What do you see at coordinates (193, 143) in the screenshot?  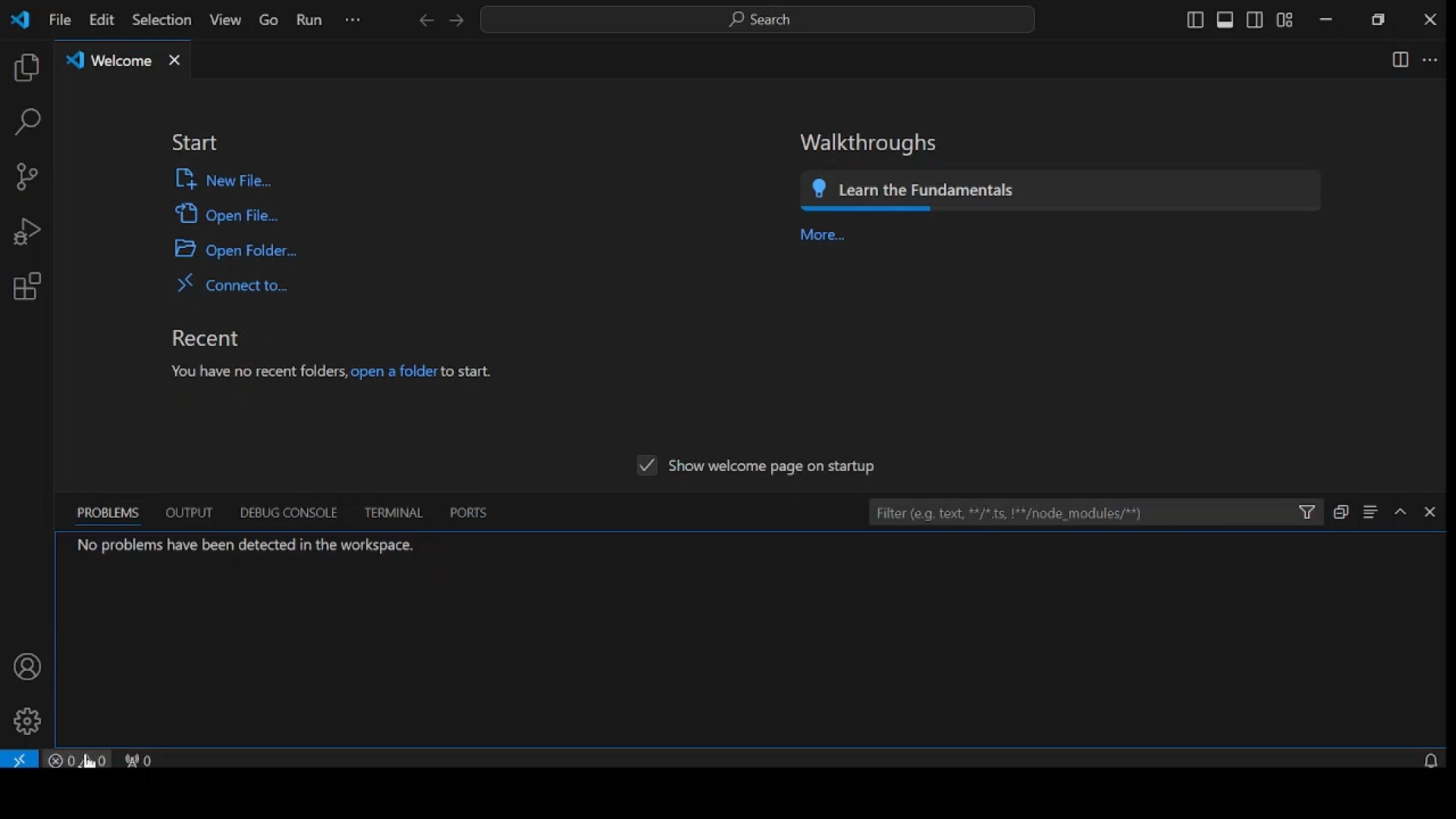 I see `start` at bounding box center [193, 143].